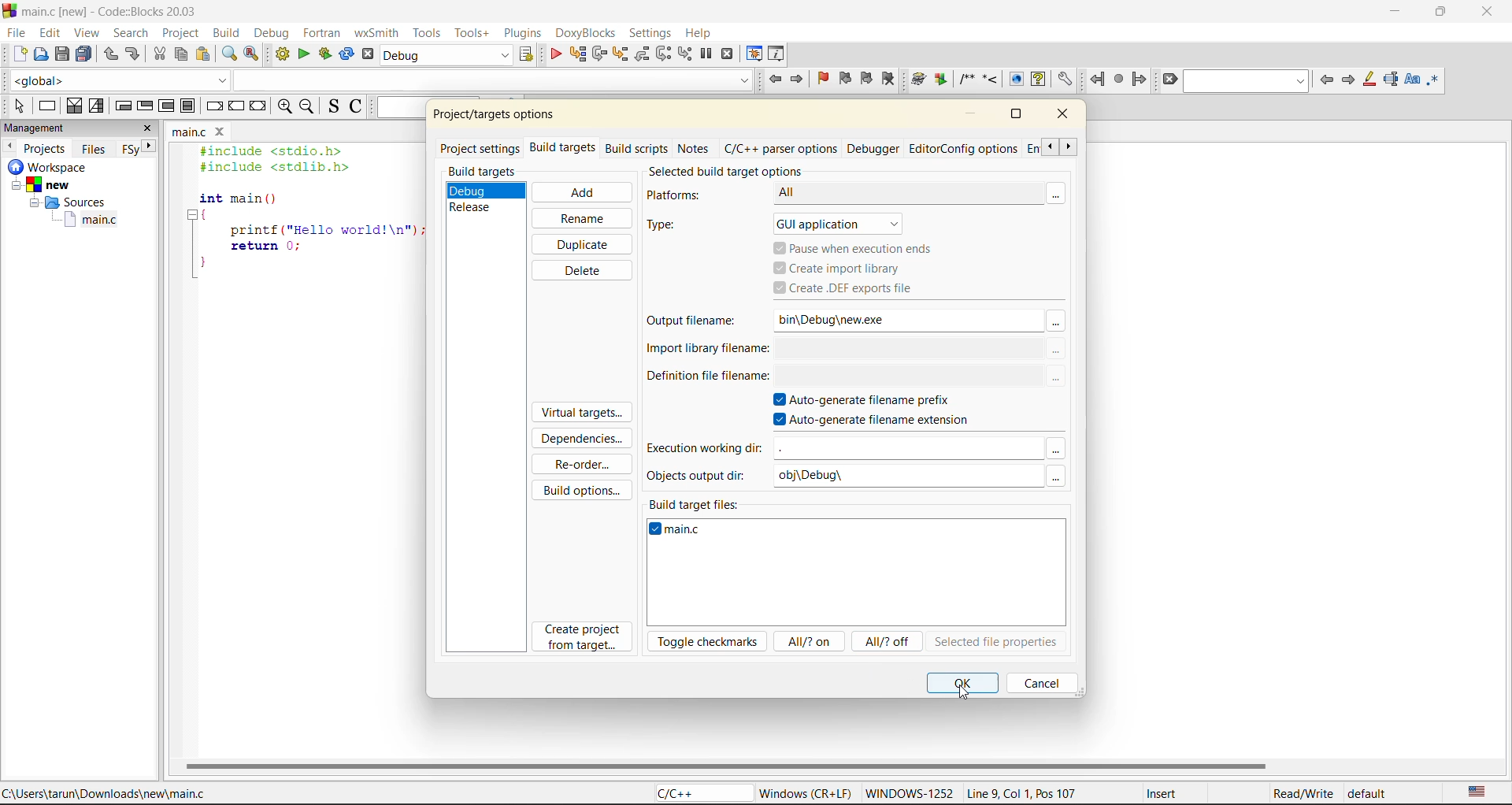 Image resolution: width=1512 pixels, height=805 pixels. I want to click on debugging windows, so click(754, 54).